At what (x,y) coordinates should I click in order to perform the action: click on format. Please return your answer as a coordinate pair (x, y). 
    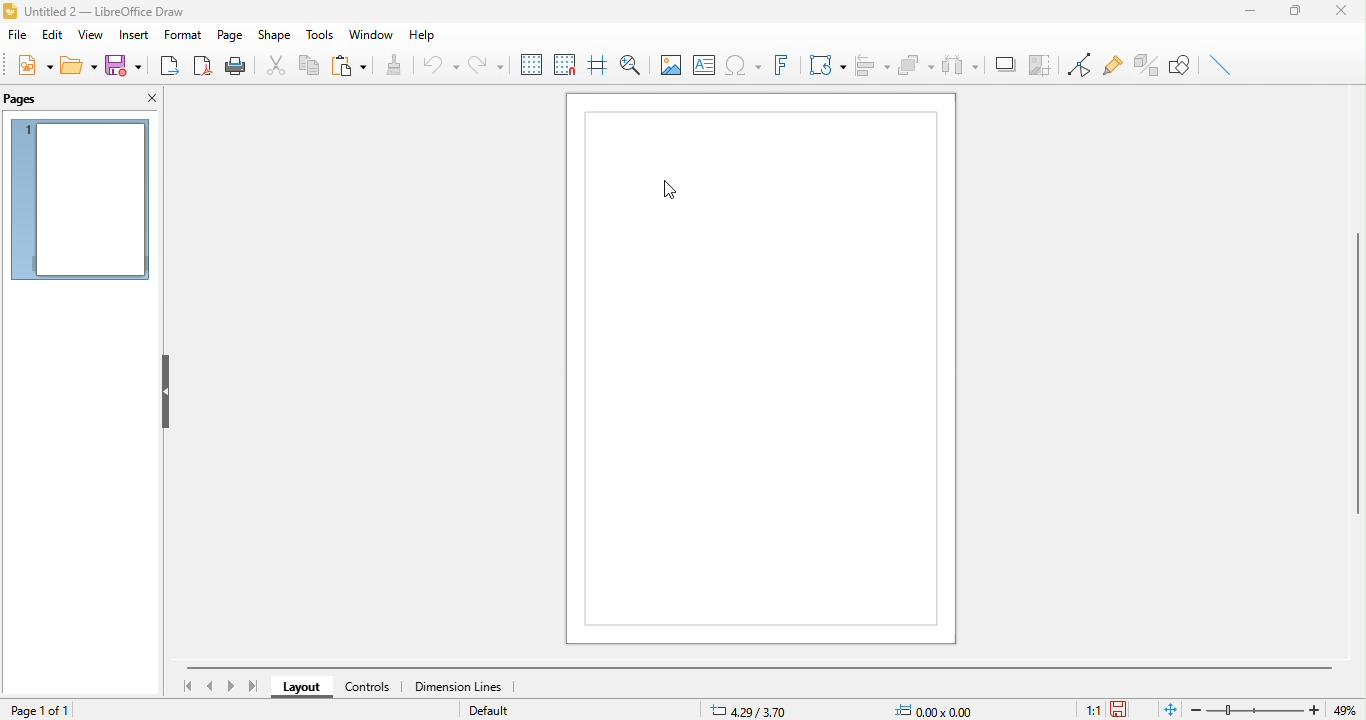
    Looking at the image, I should click on (185, 37).